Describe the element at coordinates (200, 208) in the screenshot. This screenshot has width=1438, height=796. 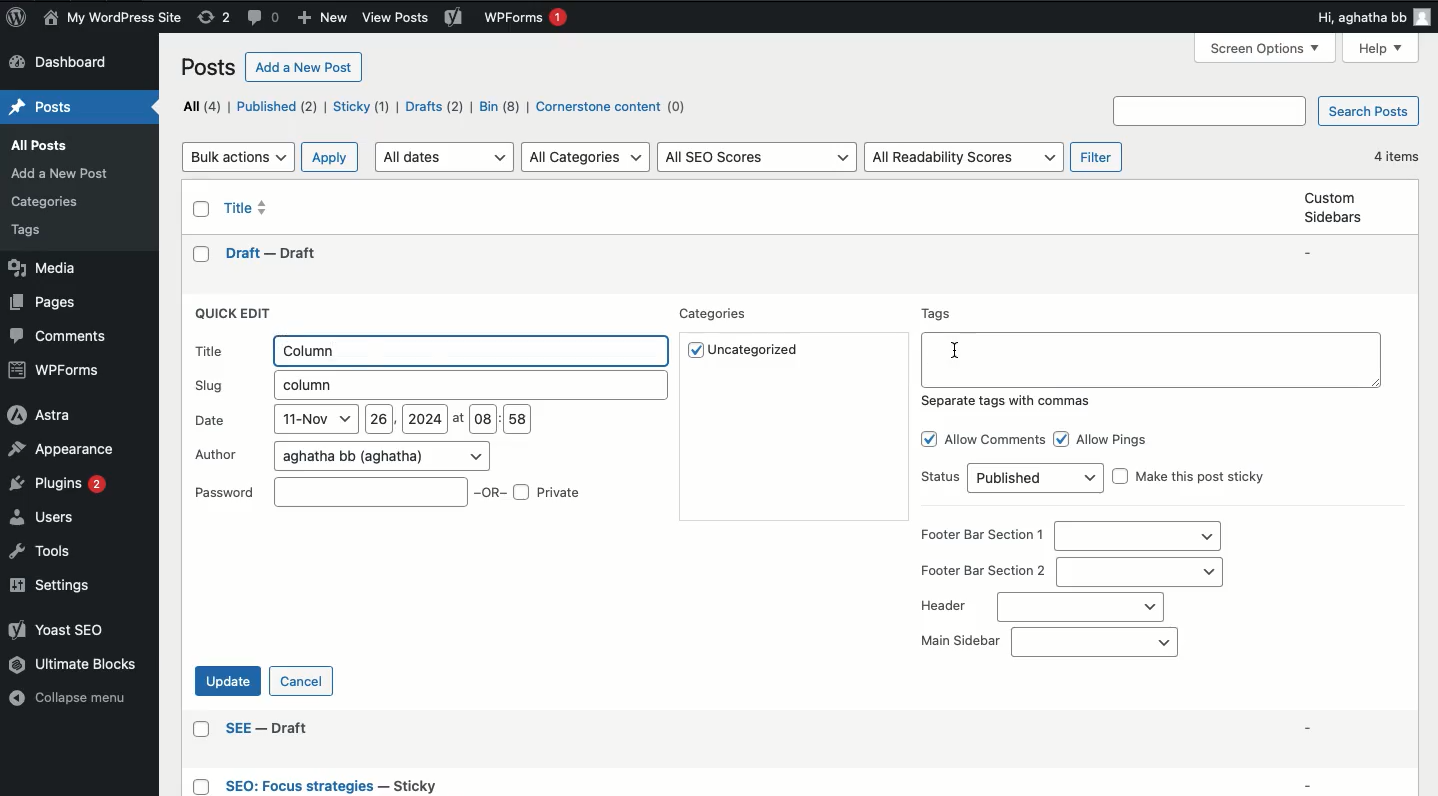
I see `Checkbox` at that location.